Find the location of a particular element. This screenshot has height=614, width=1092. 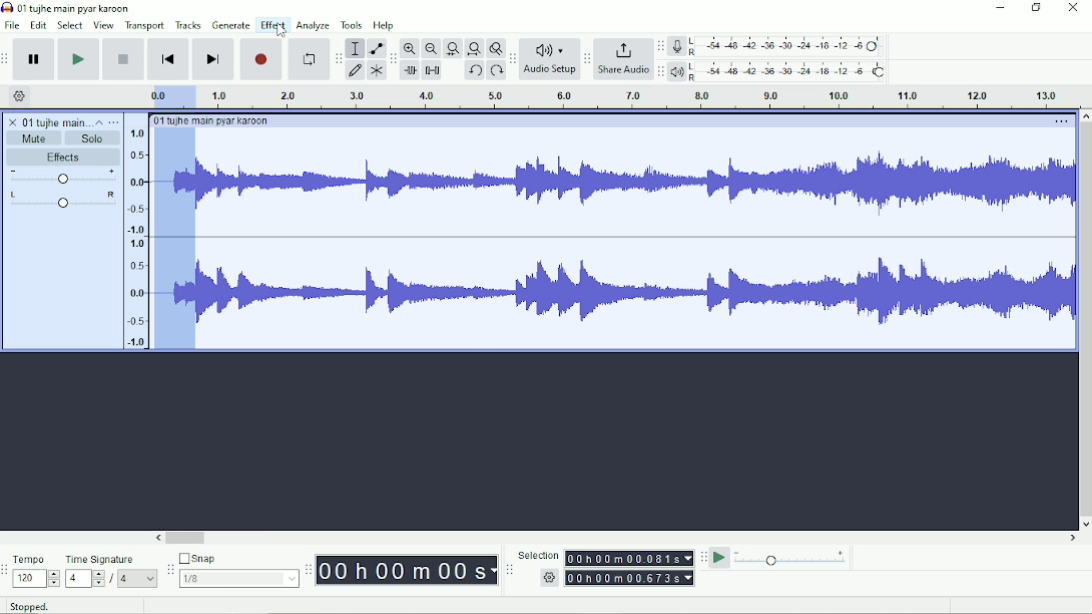

Select is located at coordinates (70, 25).